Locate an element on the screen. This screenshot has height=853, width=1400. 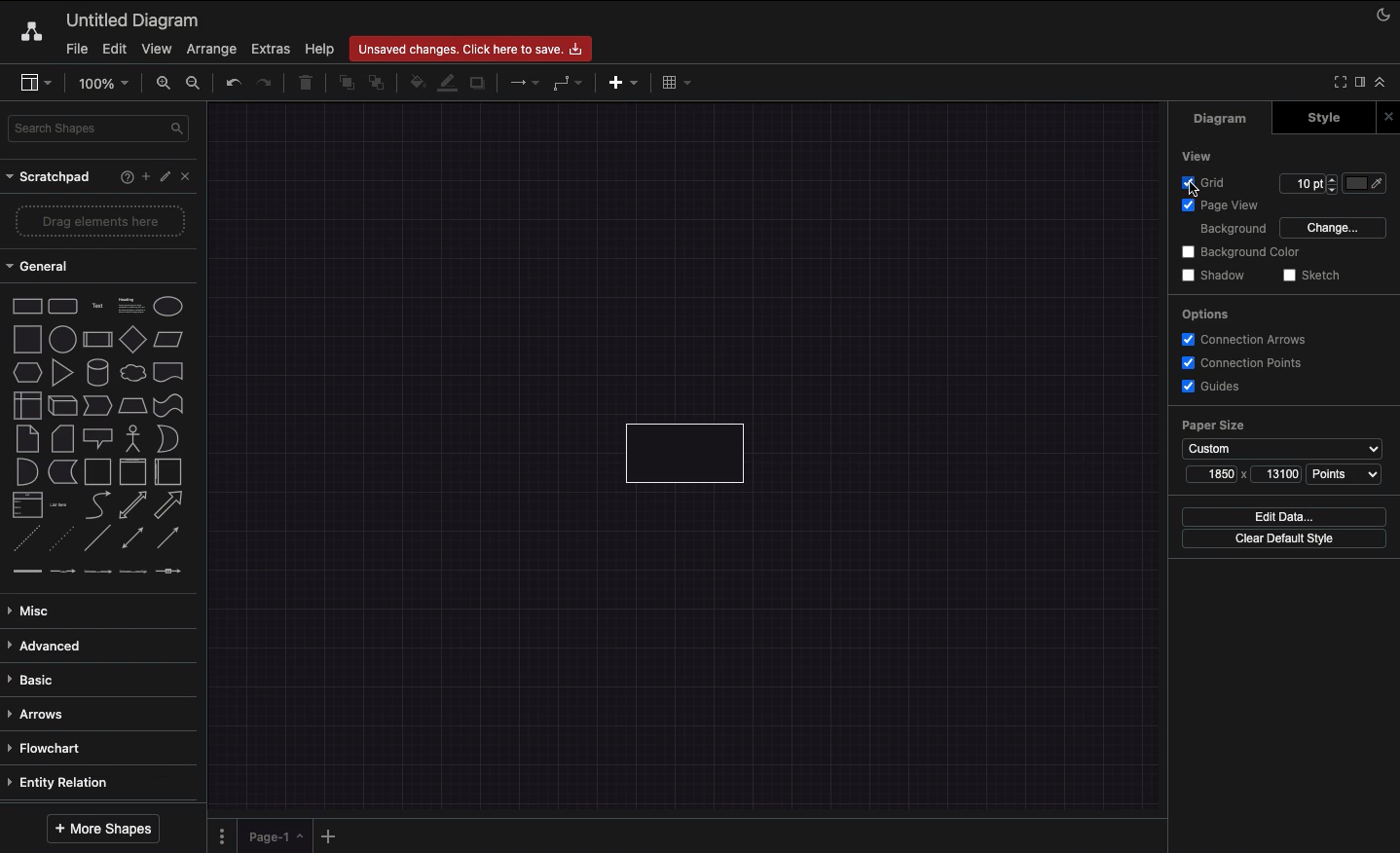
Click grid is located at coordinates (1201, 185).